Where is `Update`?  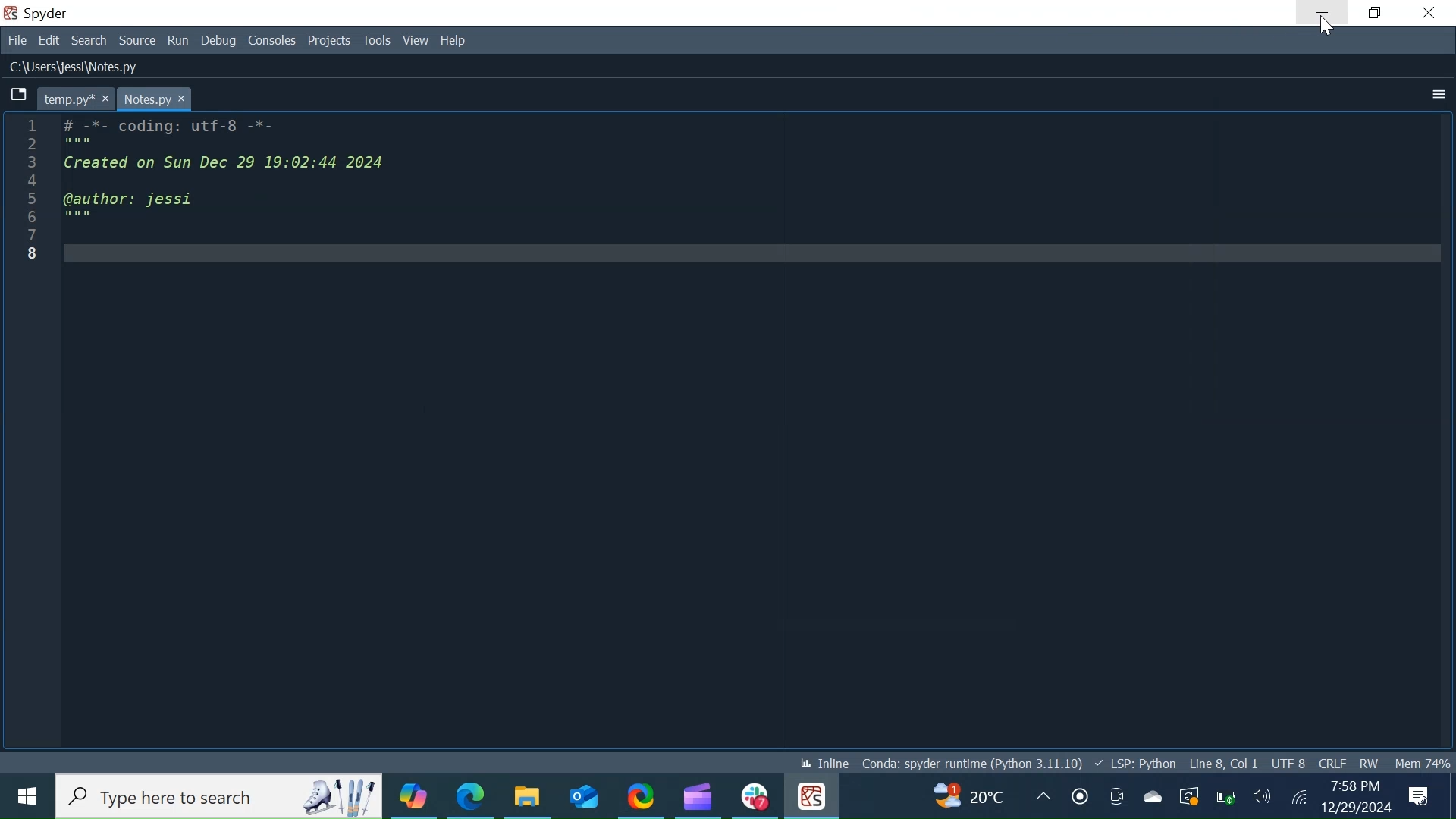 Update is located at coordinates (984, 795).